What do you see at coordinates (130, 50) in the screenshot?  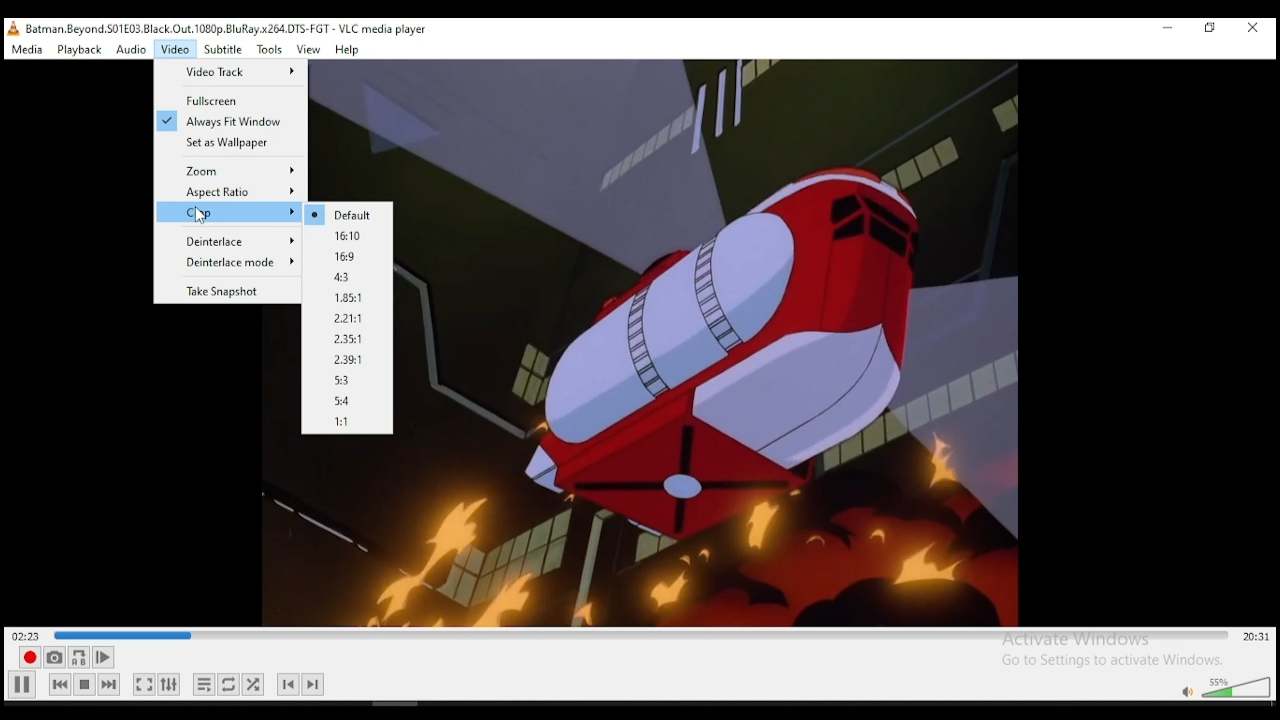 I see `audio` at bounding box center [130, 50].